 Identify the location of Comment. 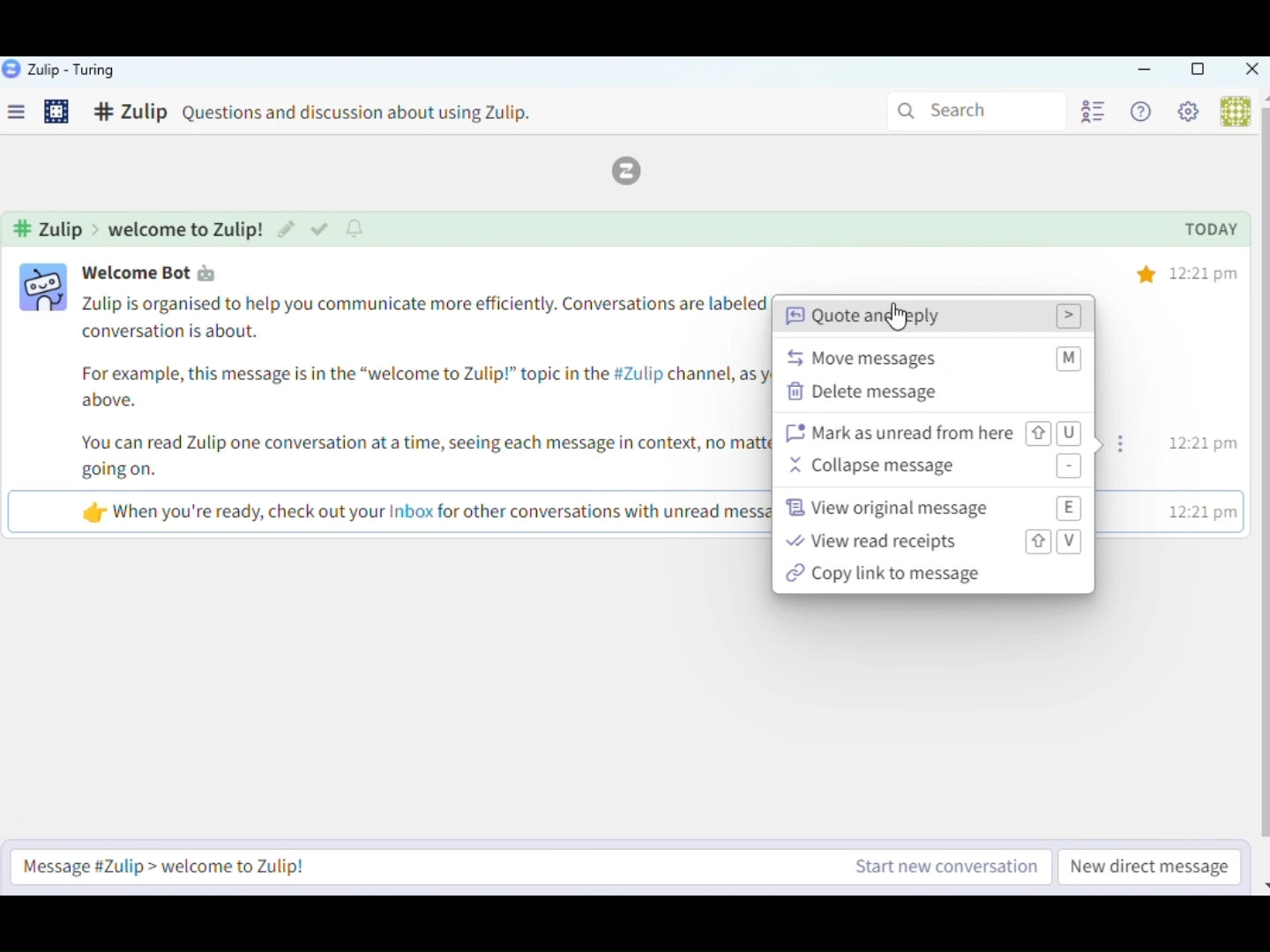
(331, 115).